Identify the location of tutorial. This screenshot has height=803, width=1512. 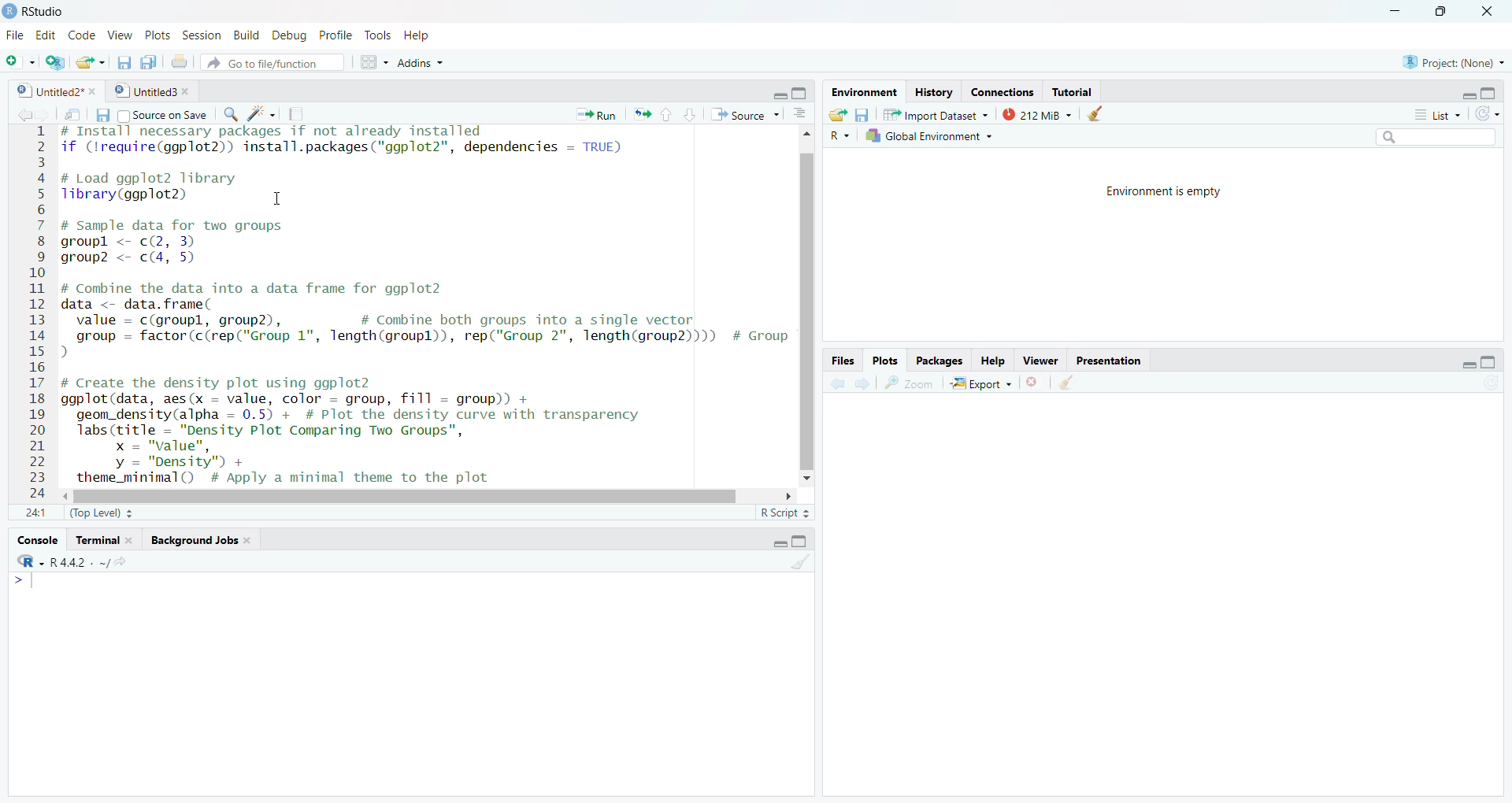
(1074, 90).